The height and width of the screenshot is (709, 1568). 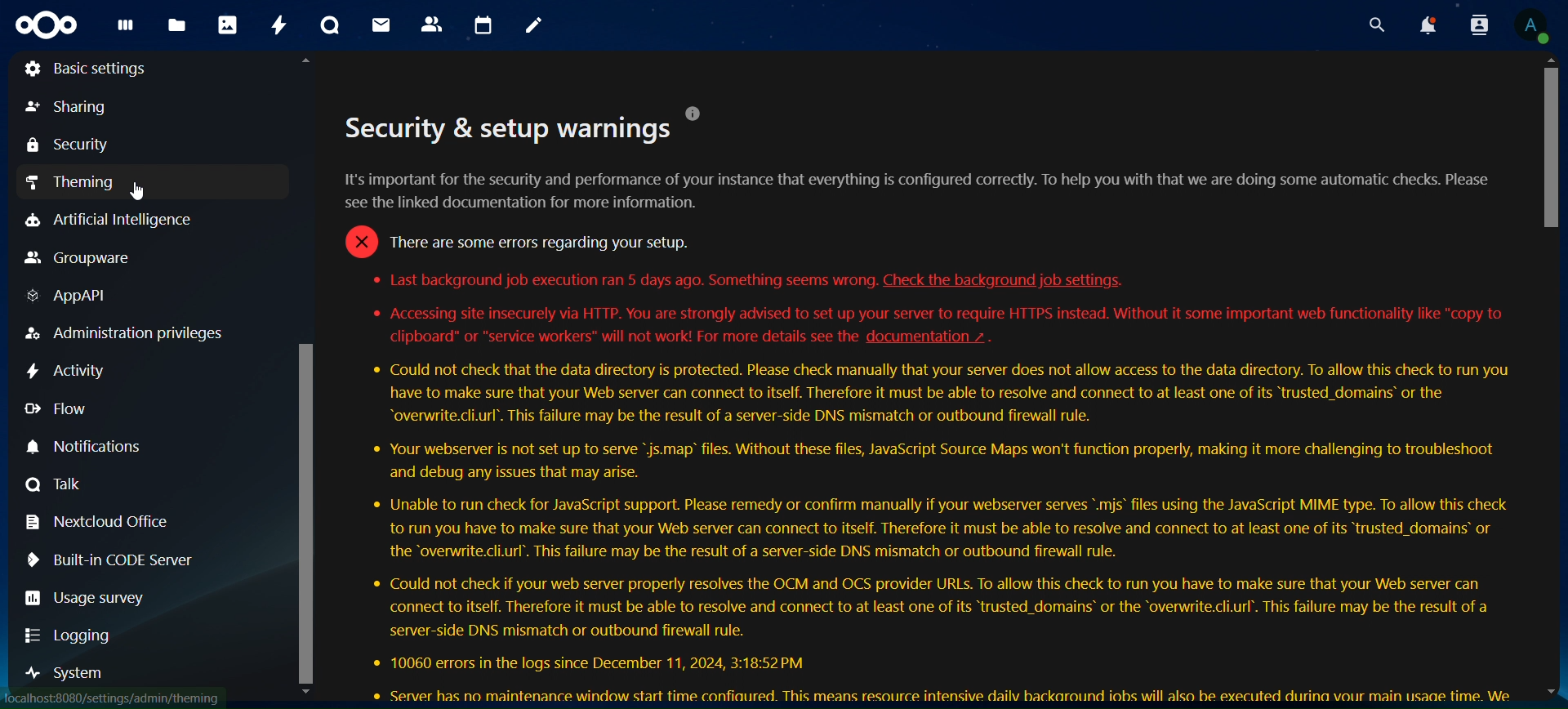 What do you see at coordinates (1477, 27) in the screenshot?
I see `search contacts` at bounding box center [1477, 27].